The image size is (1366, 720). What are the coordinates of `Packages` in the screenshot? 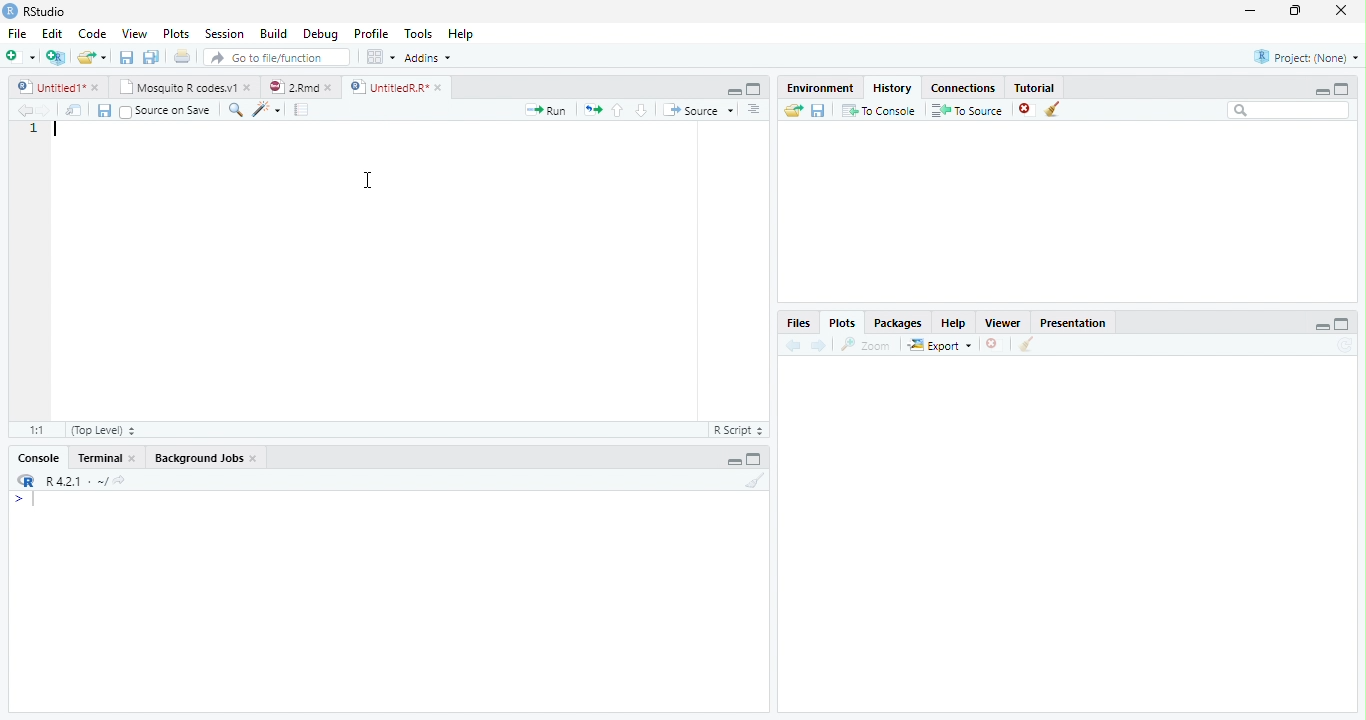 It's located at (897, 325).